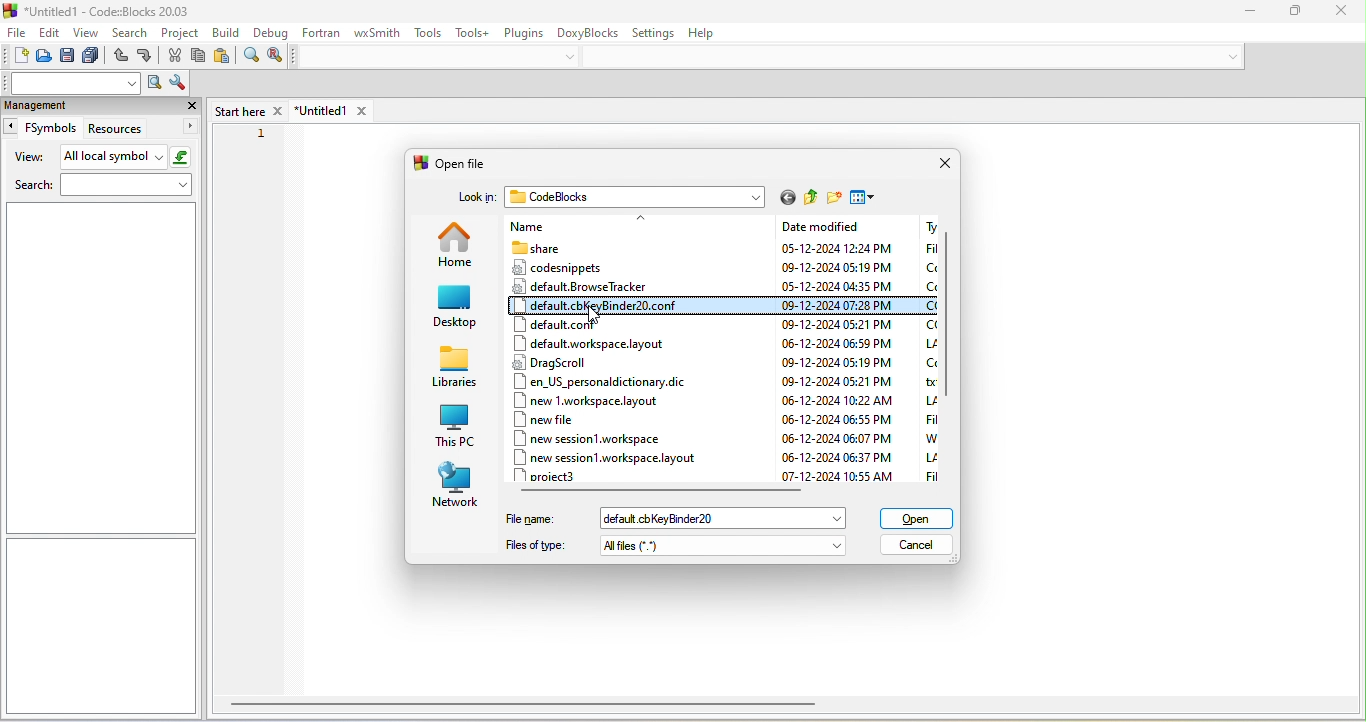 The image size is (1366, 722). What do you see at coordinates (476, 31) in the screenshot?
I see `tools++` at bounding box center [476, 31].